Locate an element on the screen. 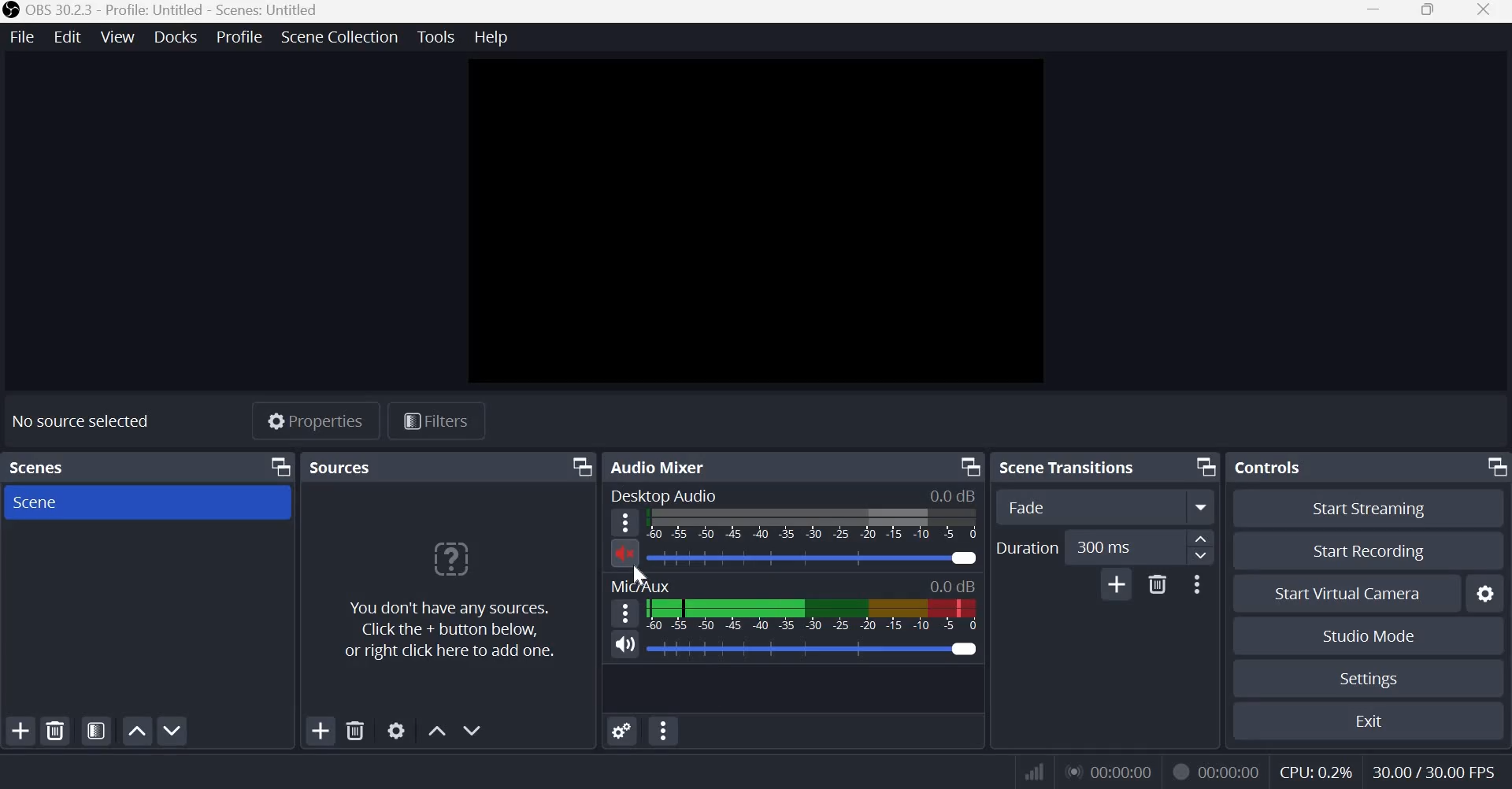 Image resolution: width=1512 pixels, height=789 pixels. Add scene is located at coordinates (20, 730).